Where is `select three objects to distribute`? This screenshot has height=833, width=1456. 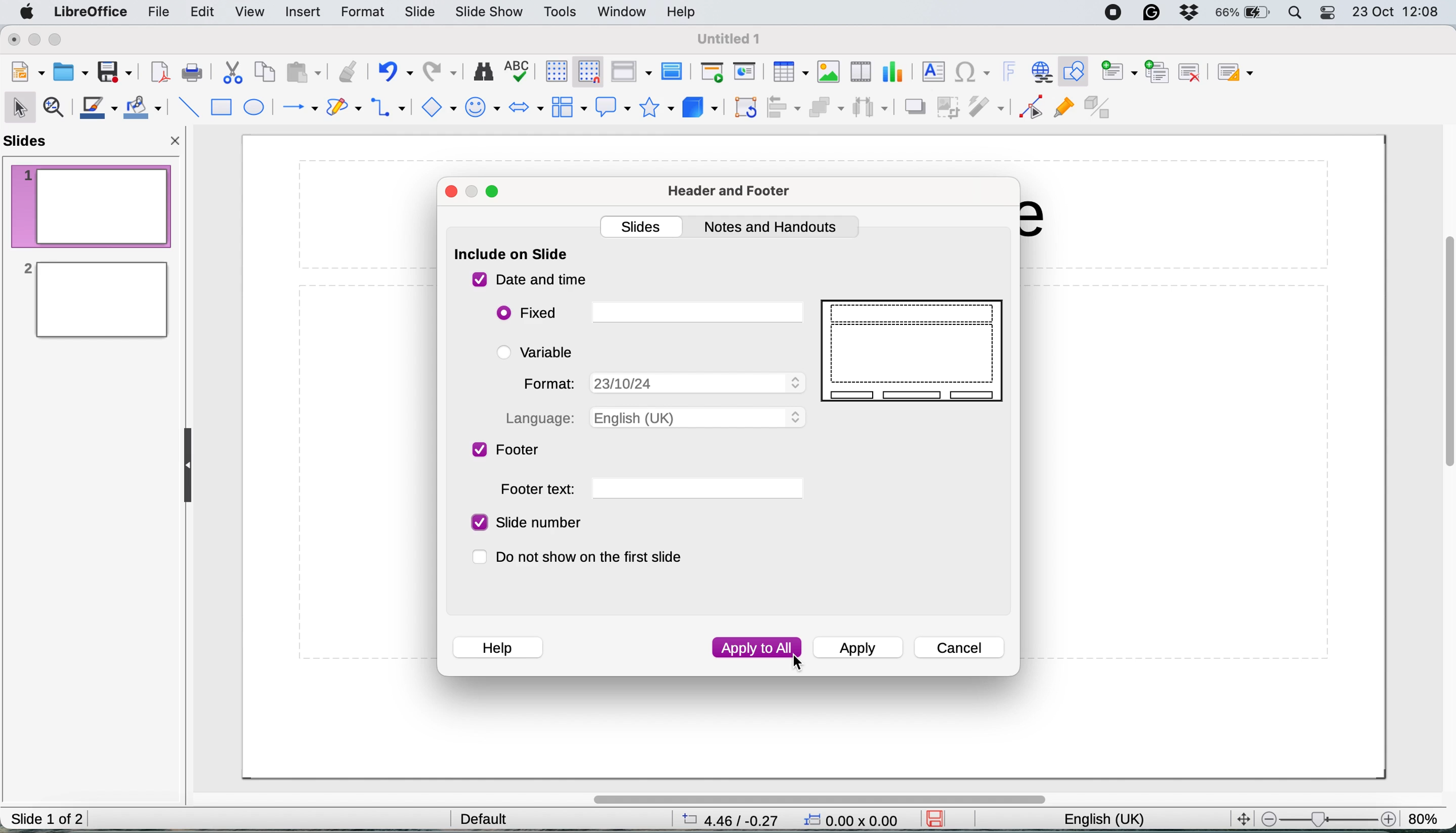
select three objects to distribute is located at coordinates (870, 109).